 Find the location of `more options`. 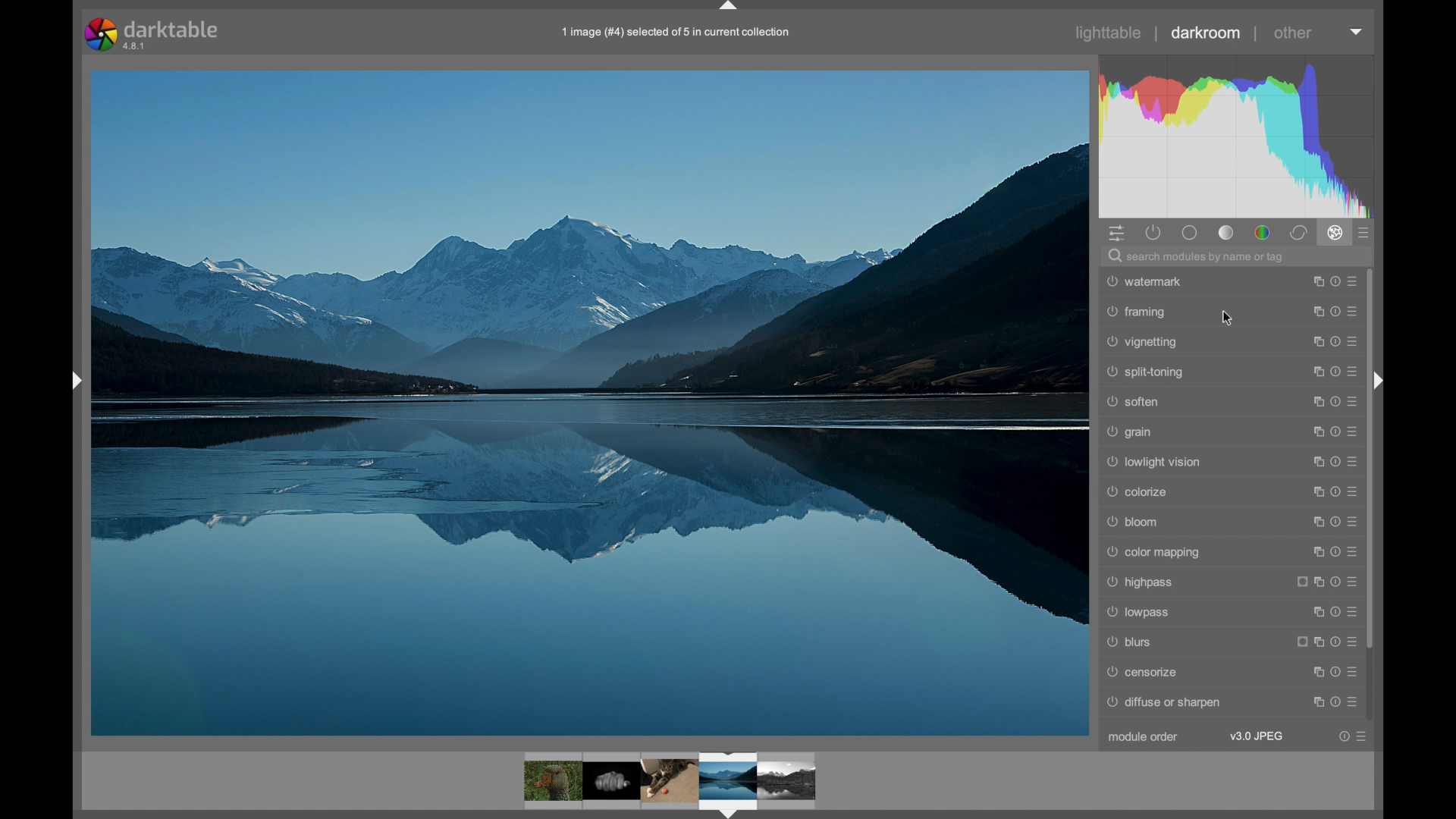

more options is located at coordinates (1335, 432).